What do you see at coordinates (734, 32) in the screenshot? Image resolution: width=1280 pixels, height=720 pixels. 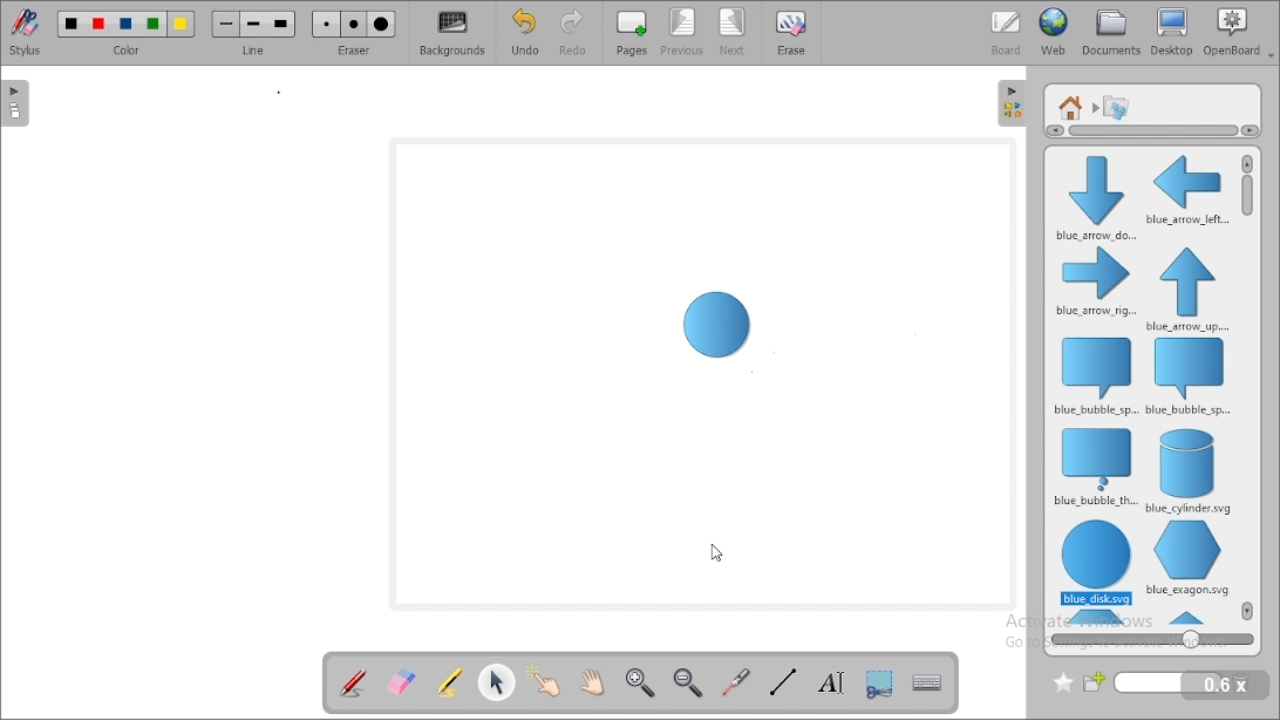 I see `next` at bounding box center [734, 32].